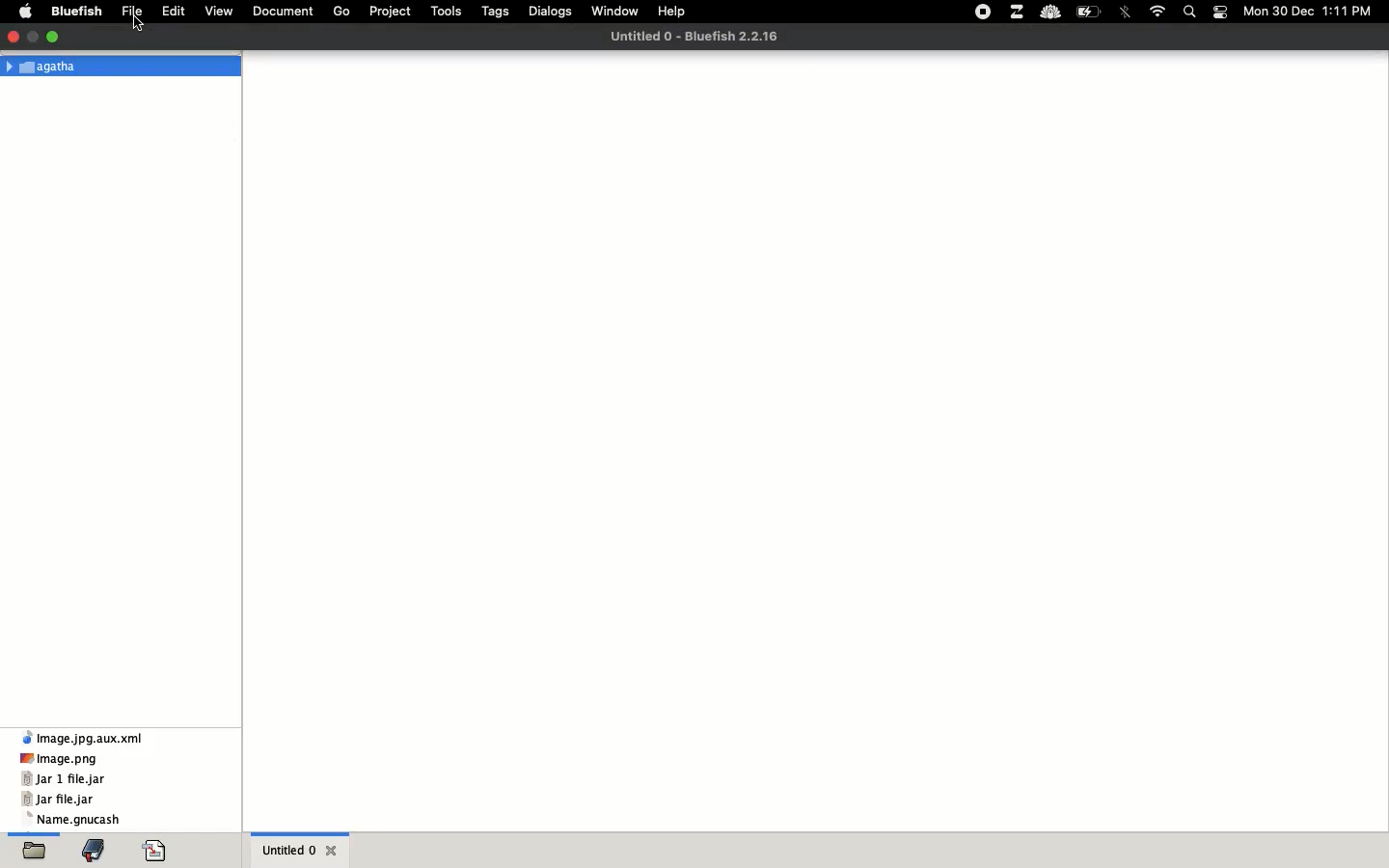 The image size is (1389, 868). I want to click on bluefish, so click(76, 10).